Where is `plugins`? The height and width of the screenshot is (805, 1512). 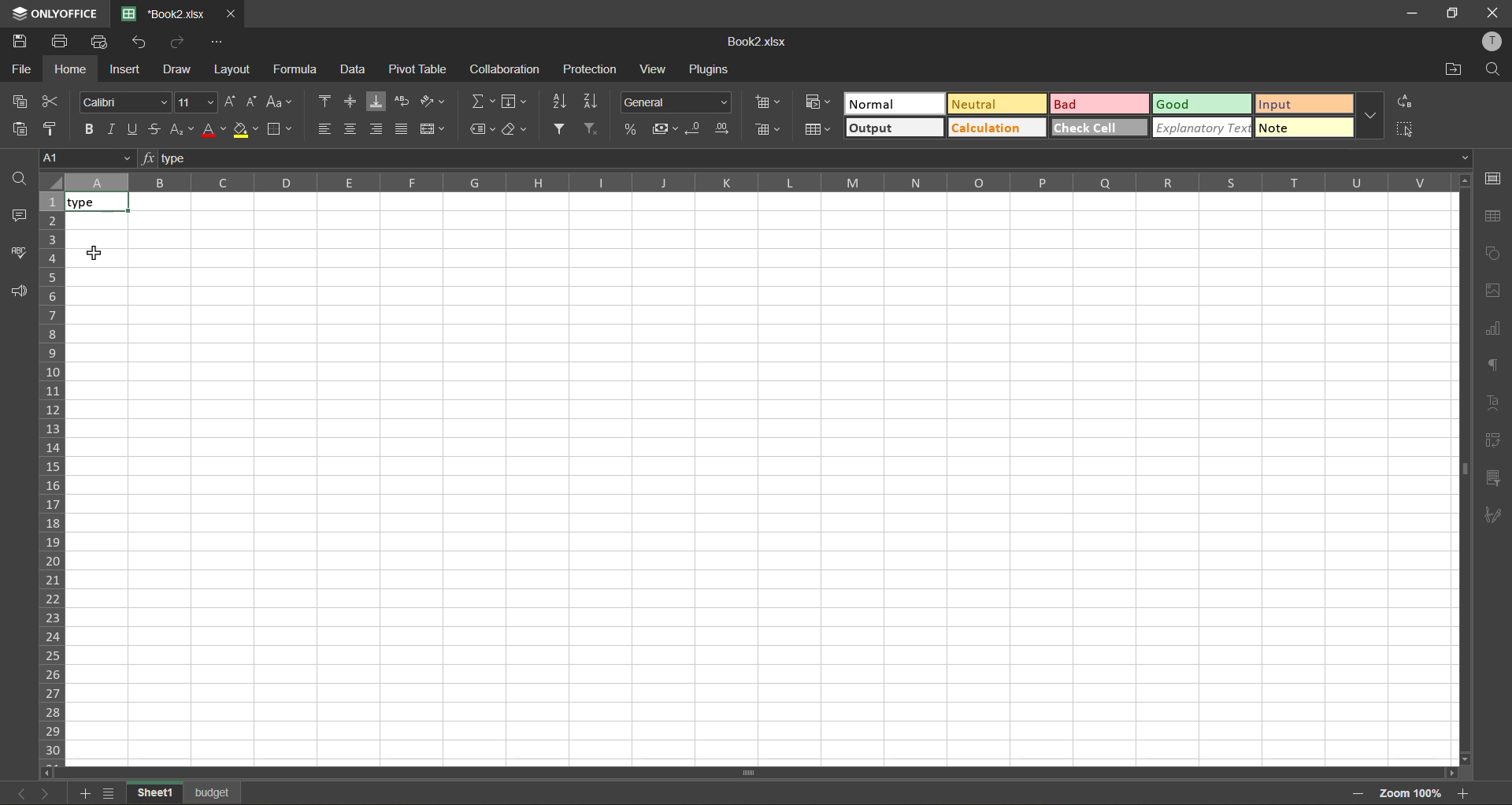
plugins is located at coordinates (713, 70).